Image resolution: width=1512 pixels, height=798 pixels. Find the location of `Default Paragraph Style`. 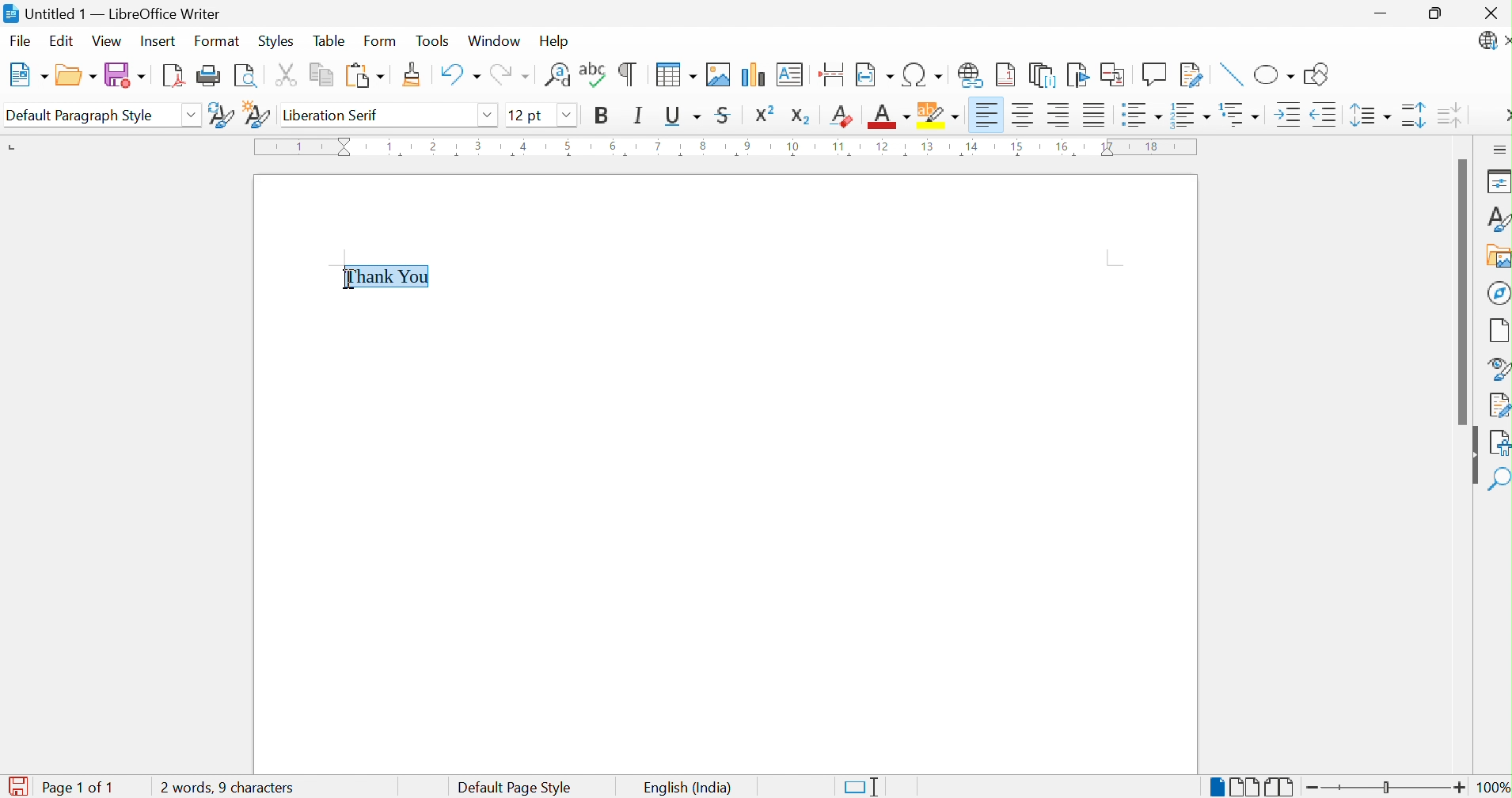

Default Paragraph Style is located at coordinates (80, 114).